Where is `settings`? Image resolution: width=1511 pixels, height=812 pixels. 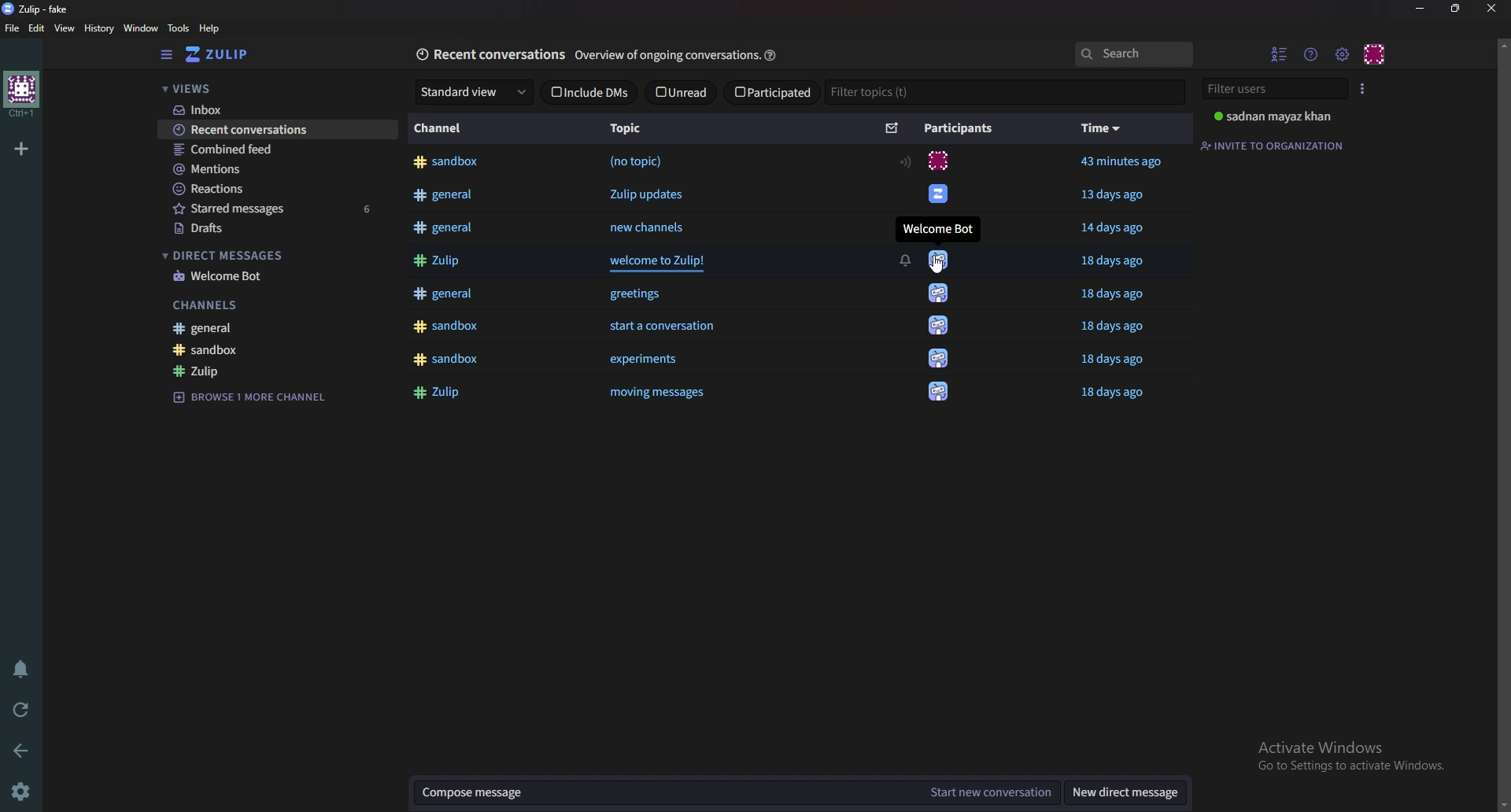
settings is located at coordinates (19, 791).